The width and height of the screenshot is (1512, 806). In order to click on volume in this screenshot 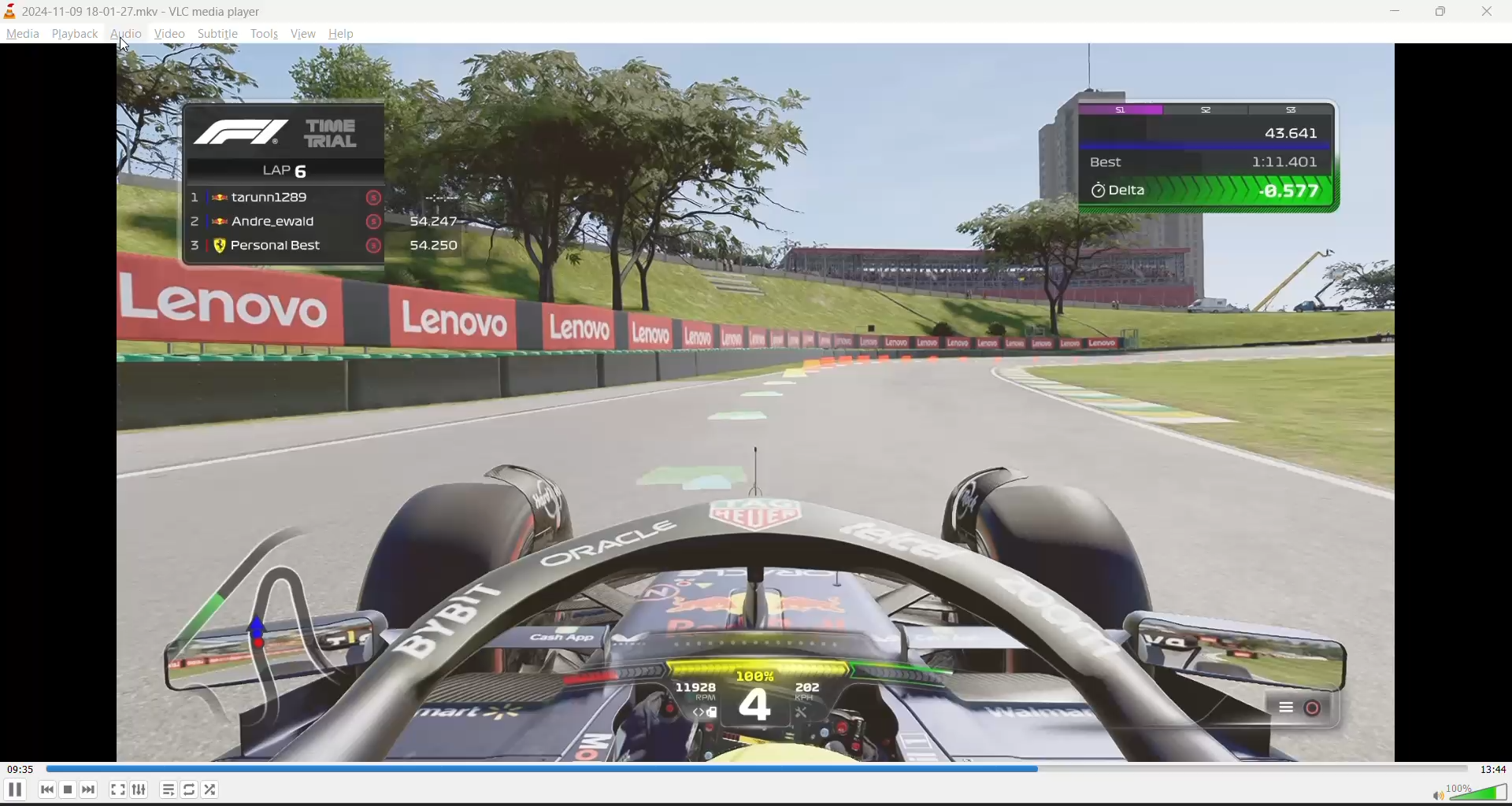, I will do `click(1470, 791)`.